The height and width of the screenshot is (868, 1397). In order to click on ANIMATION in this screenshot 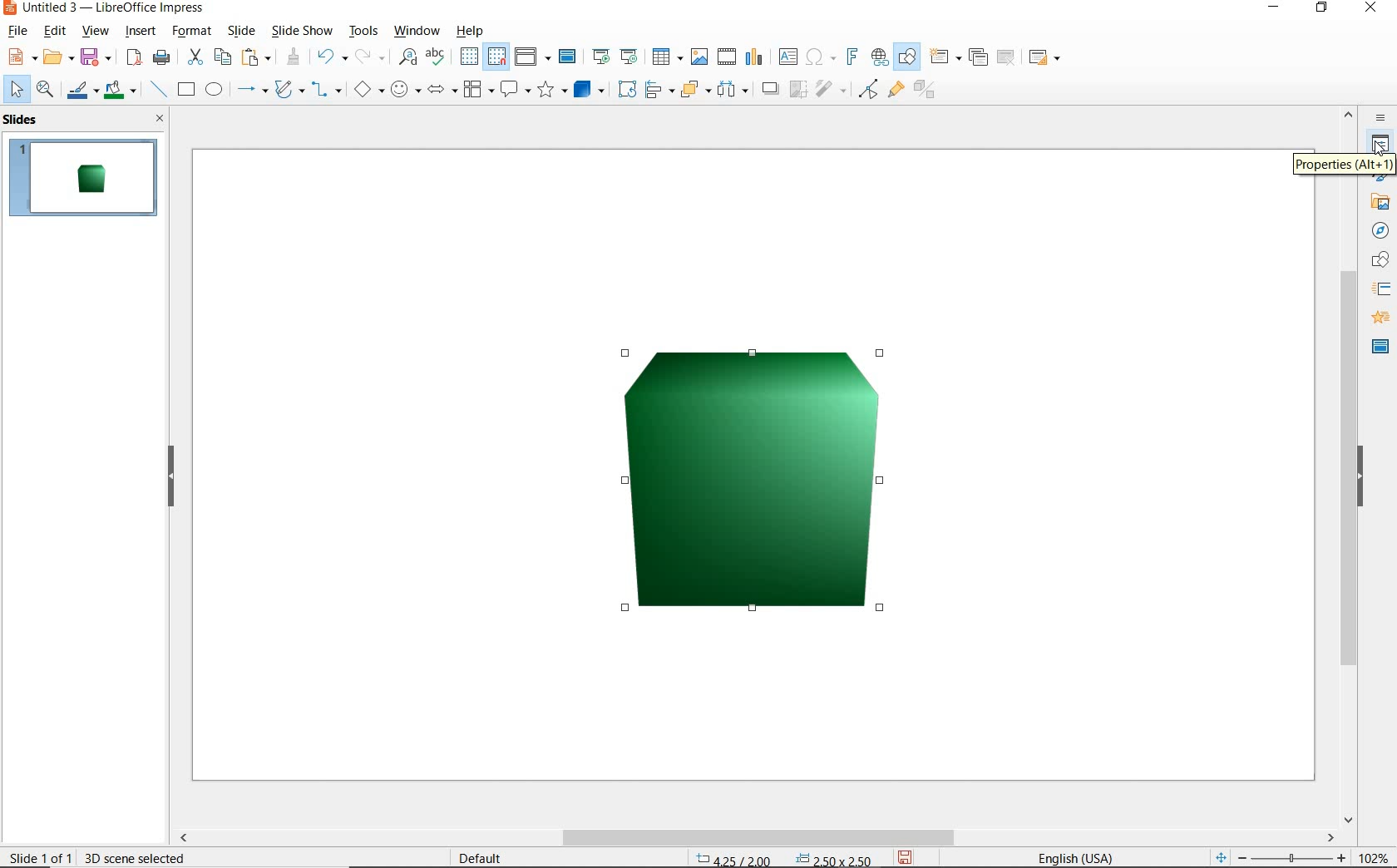, I will do `click(1381, 320)`.